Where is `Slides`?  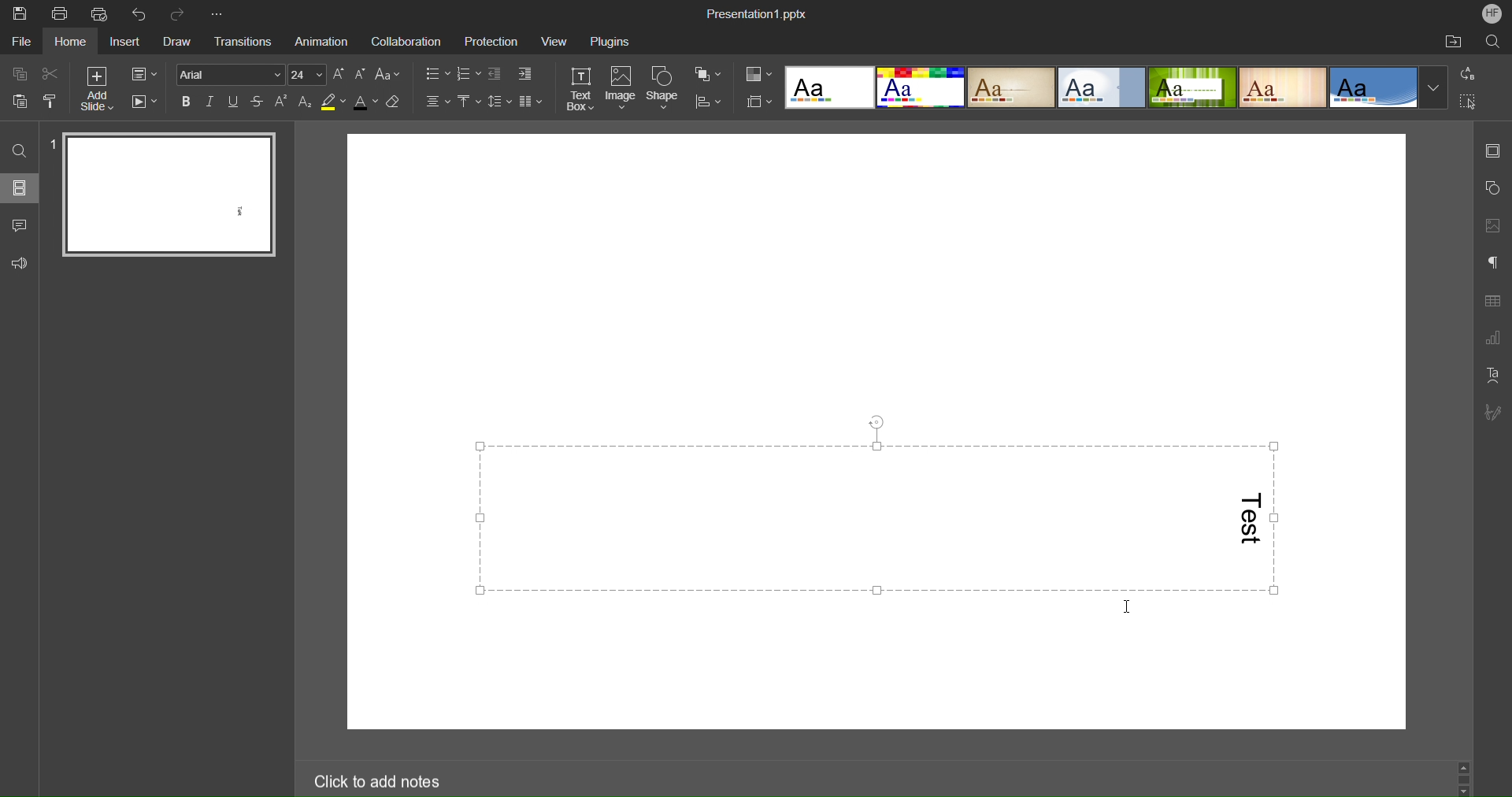
Slides is located at coordinates (22, 188).